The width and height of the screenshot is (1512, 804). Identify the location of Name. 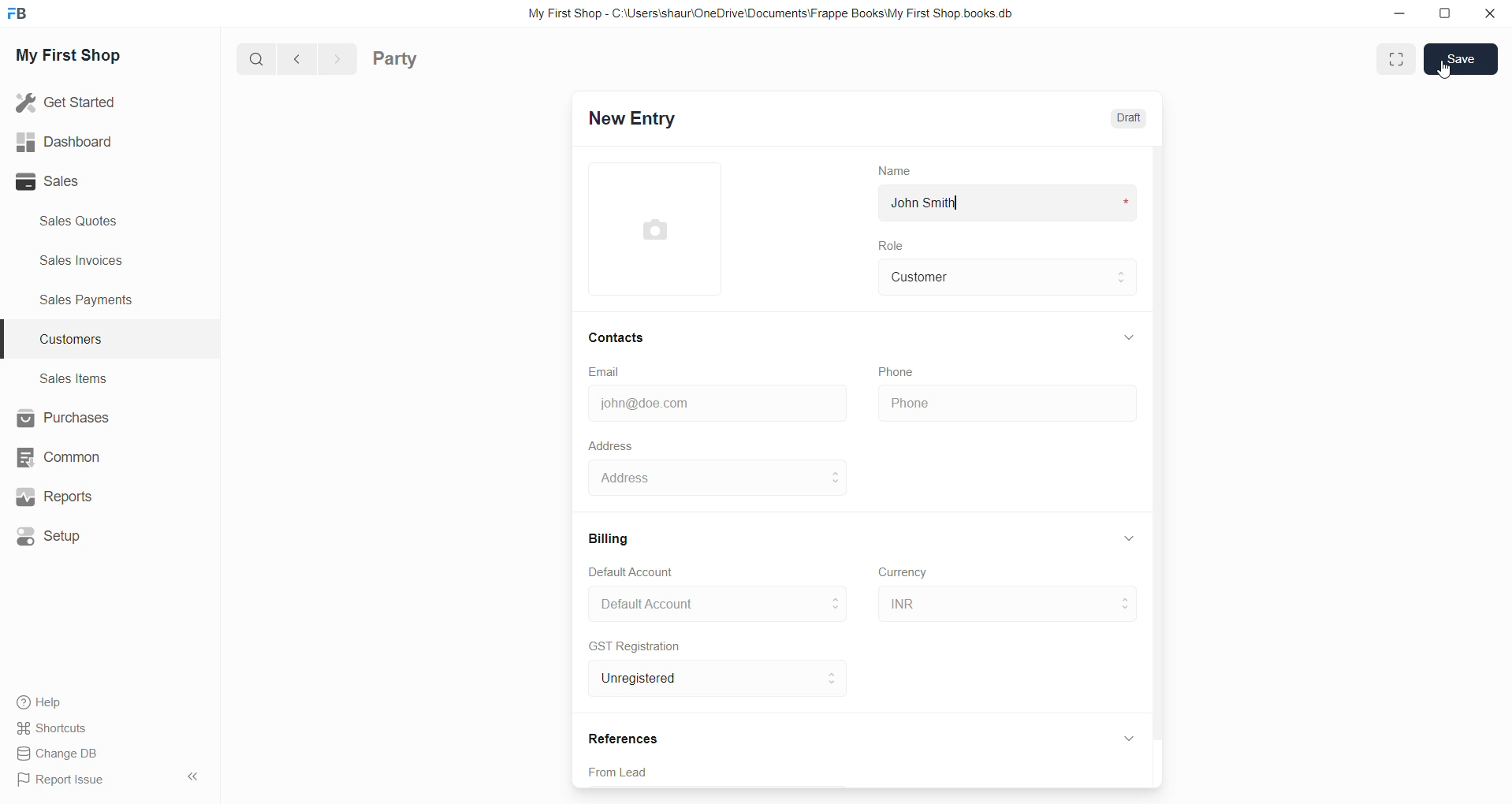
(888, 169).